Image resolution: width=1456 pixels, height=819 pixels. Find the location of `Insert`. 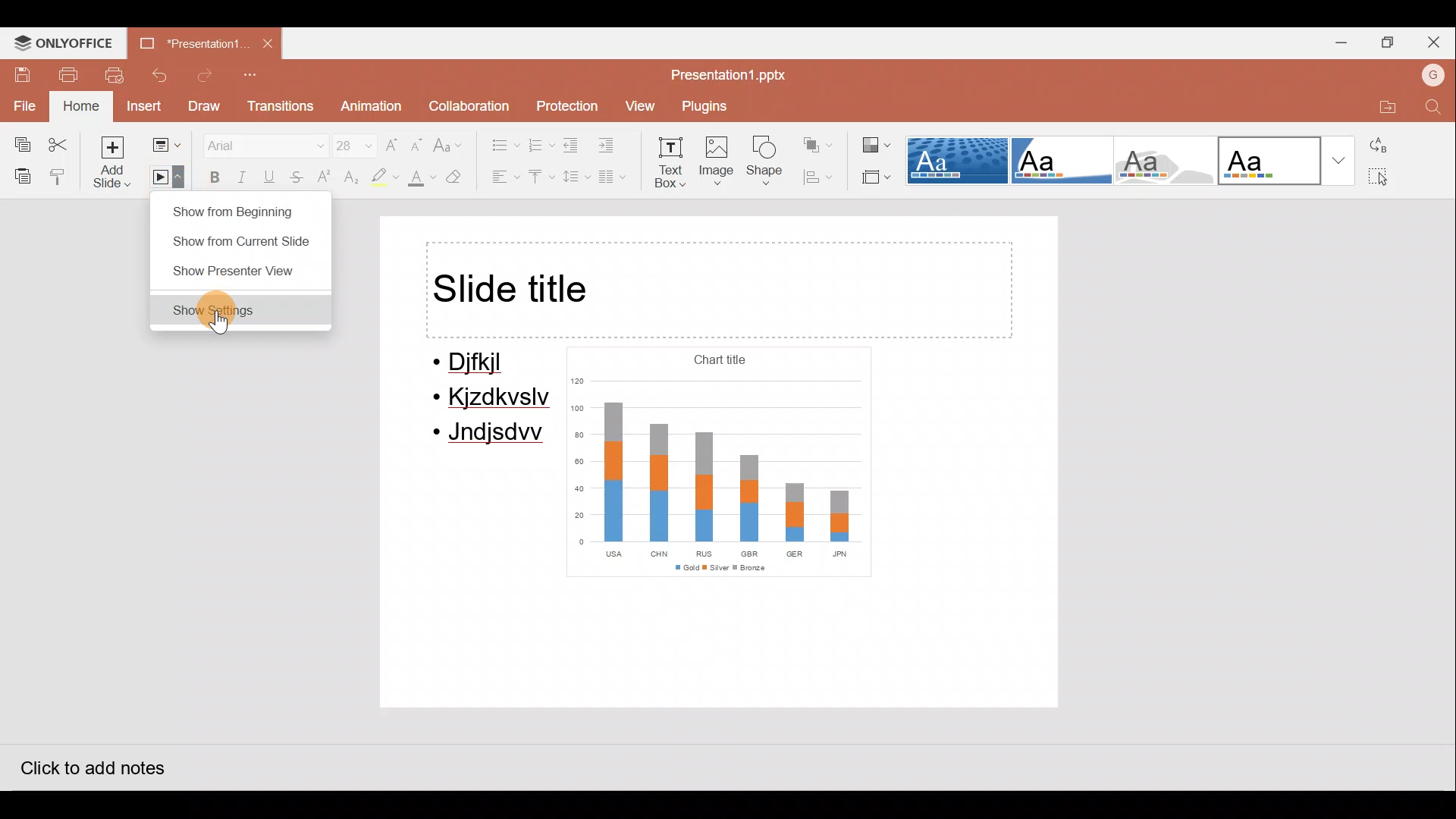

Insert is located at coordinates (140, 107).